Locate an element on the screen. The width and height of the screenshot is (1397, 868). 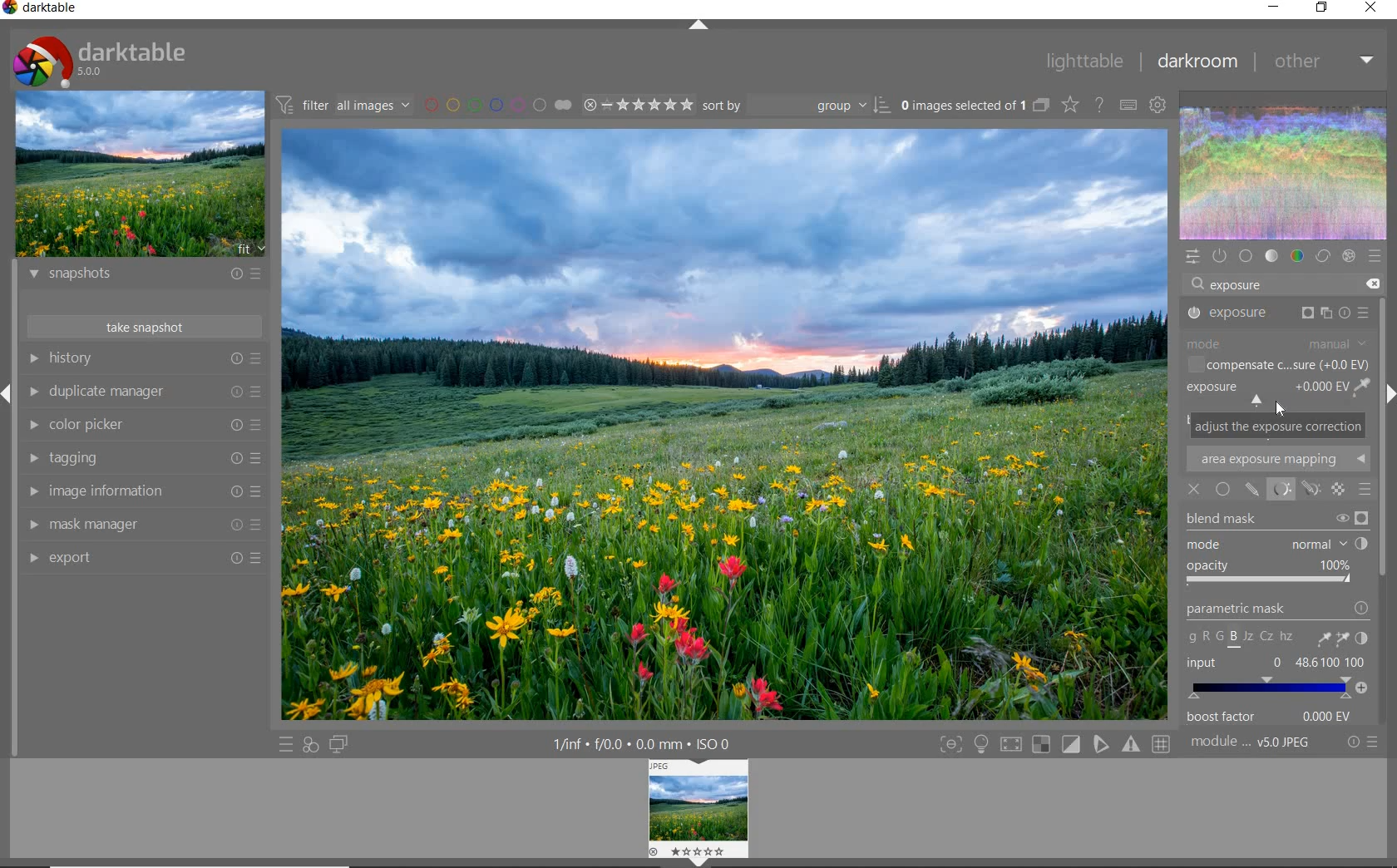
change overlays shown on thumbnails is located at coordinates (1069, 106).